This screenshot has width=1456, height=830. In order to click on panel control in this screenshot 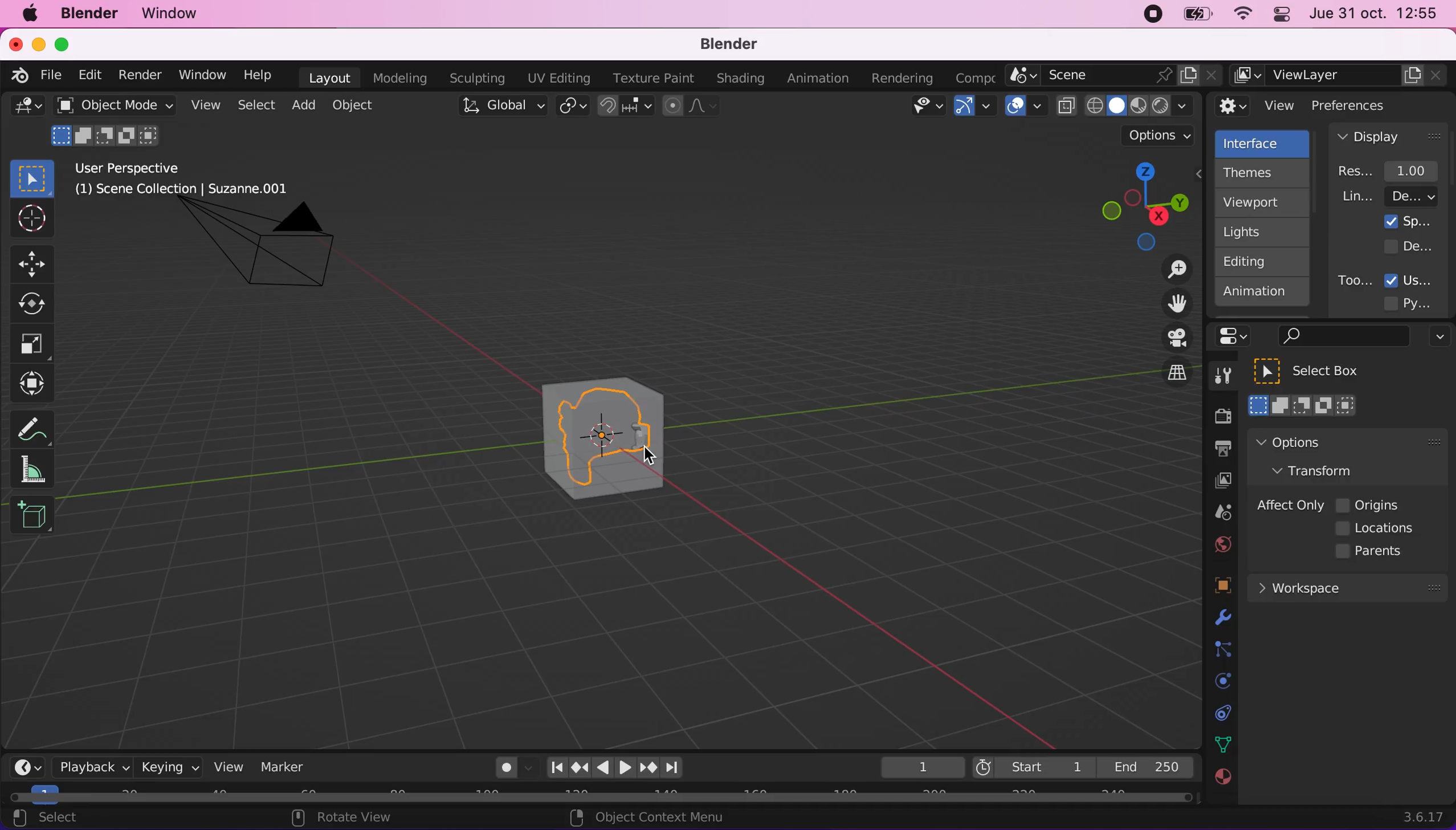, I will do `click(1237, 336)`.